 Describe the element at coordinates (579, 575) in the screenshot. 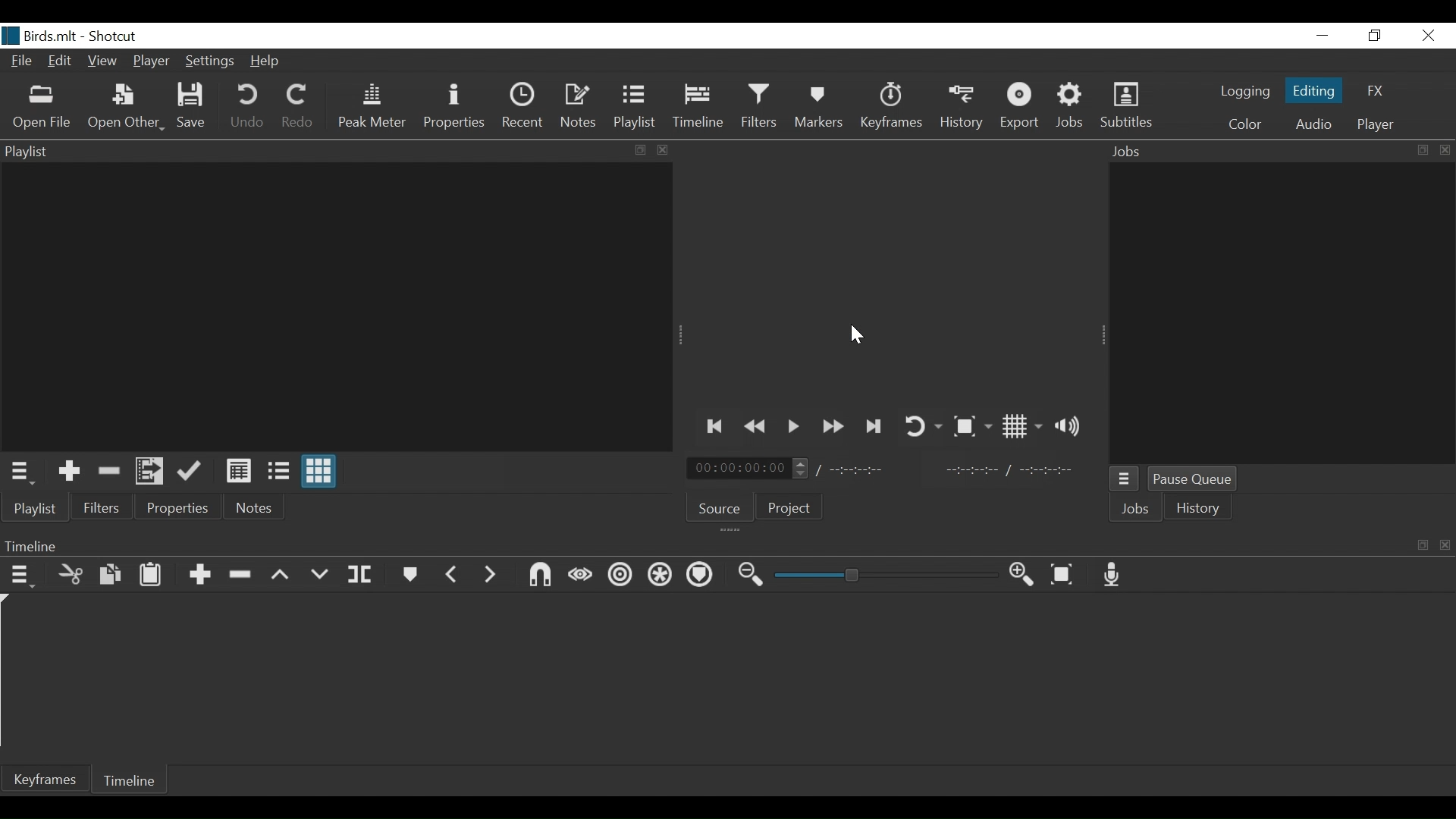

I see `Scrub wile dragging` at that location.